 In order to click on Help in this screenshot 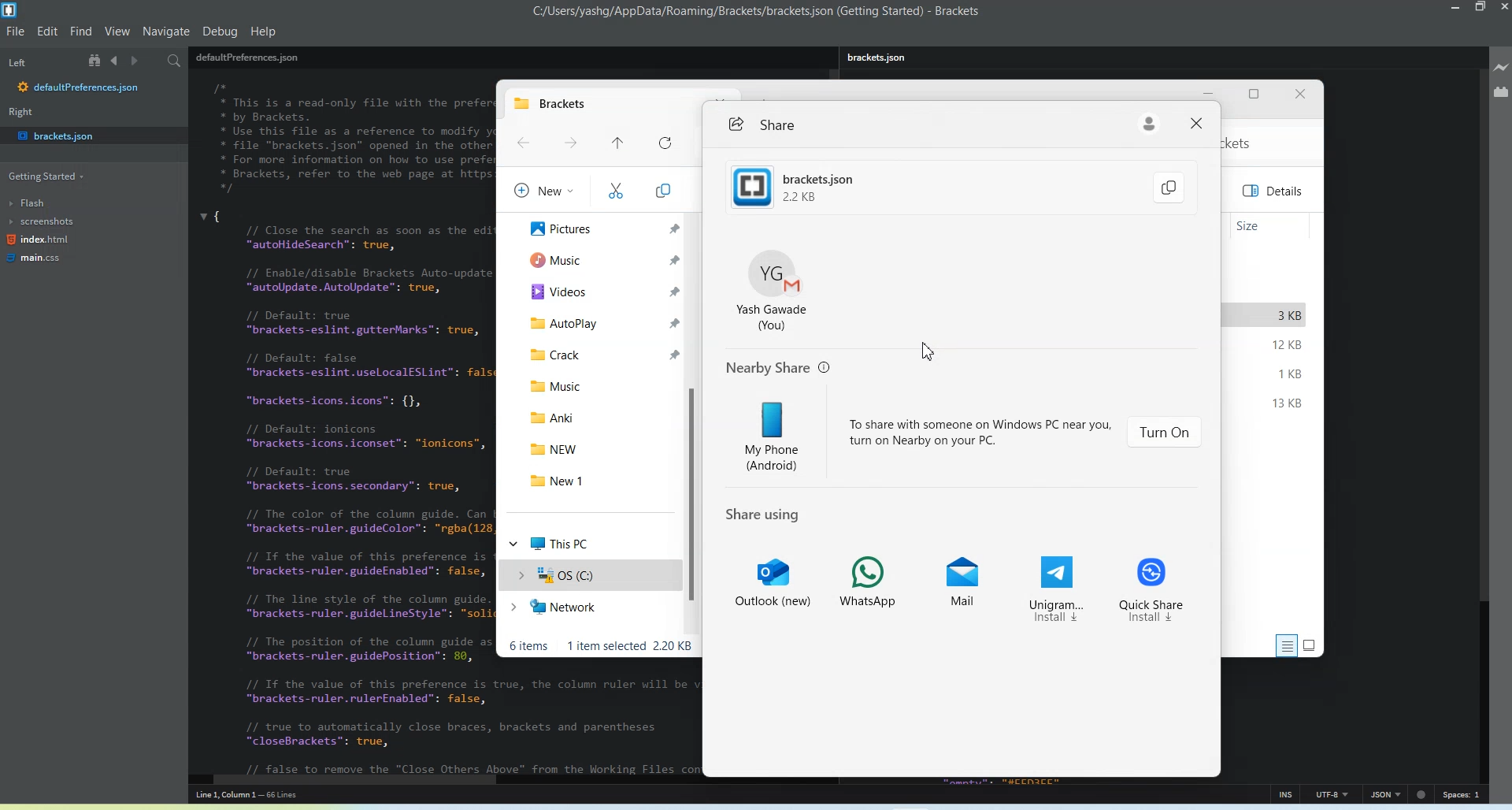, I will do `click(263, 31)`.